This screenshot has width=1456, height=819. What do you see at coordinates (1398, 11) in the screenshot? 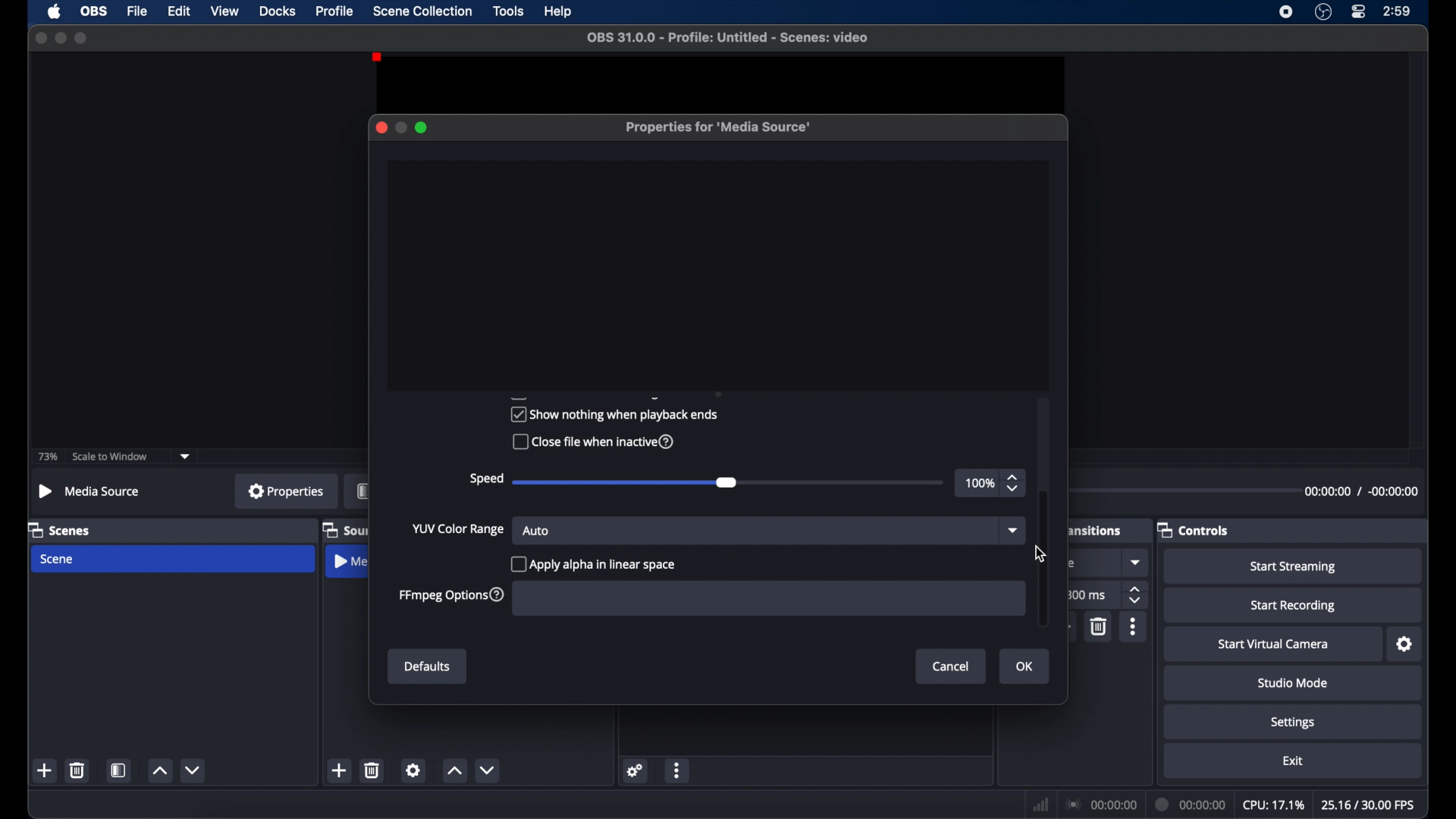
I see `time` at bounding box center [1398, 11].